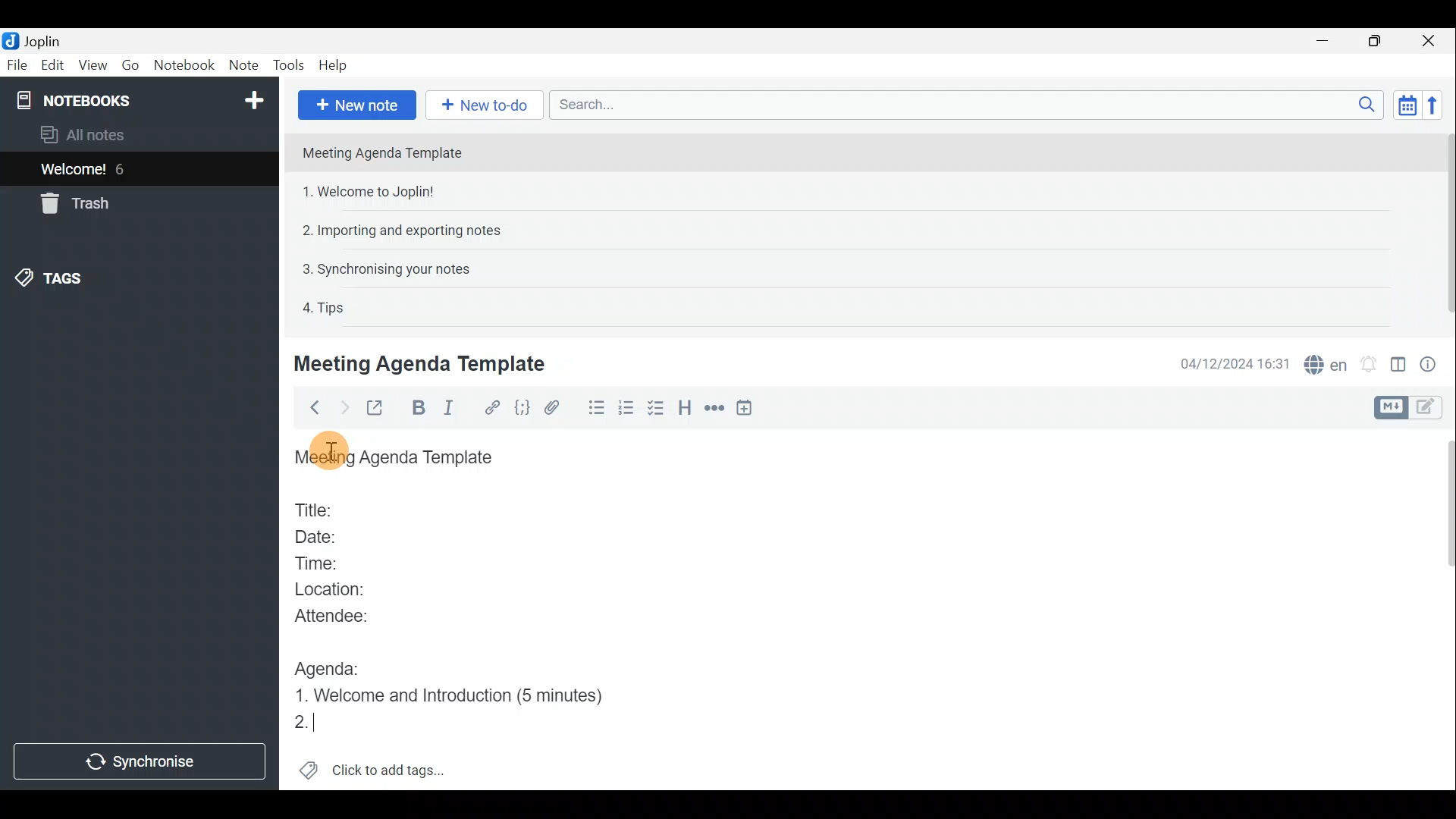 This screenshot has height=819, width=1456. Describe the element at coordinates (317, 560) in the screenshot. I see `Time:` at that location.